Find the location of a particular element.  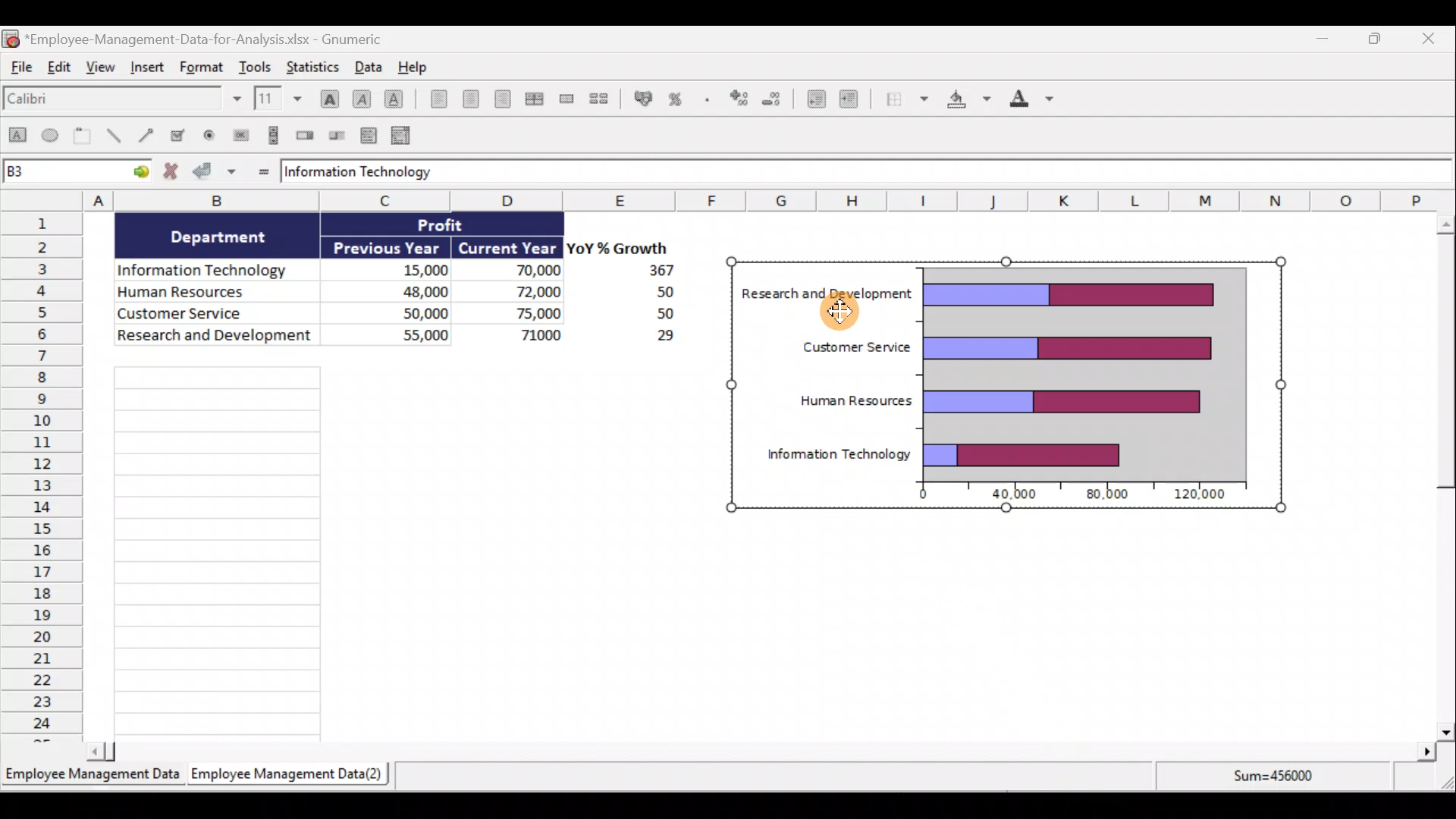

Accept change is located at coordinates (217, 173).